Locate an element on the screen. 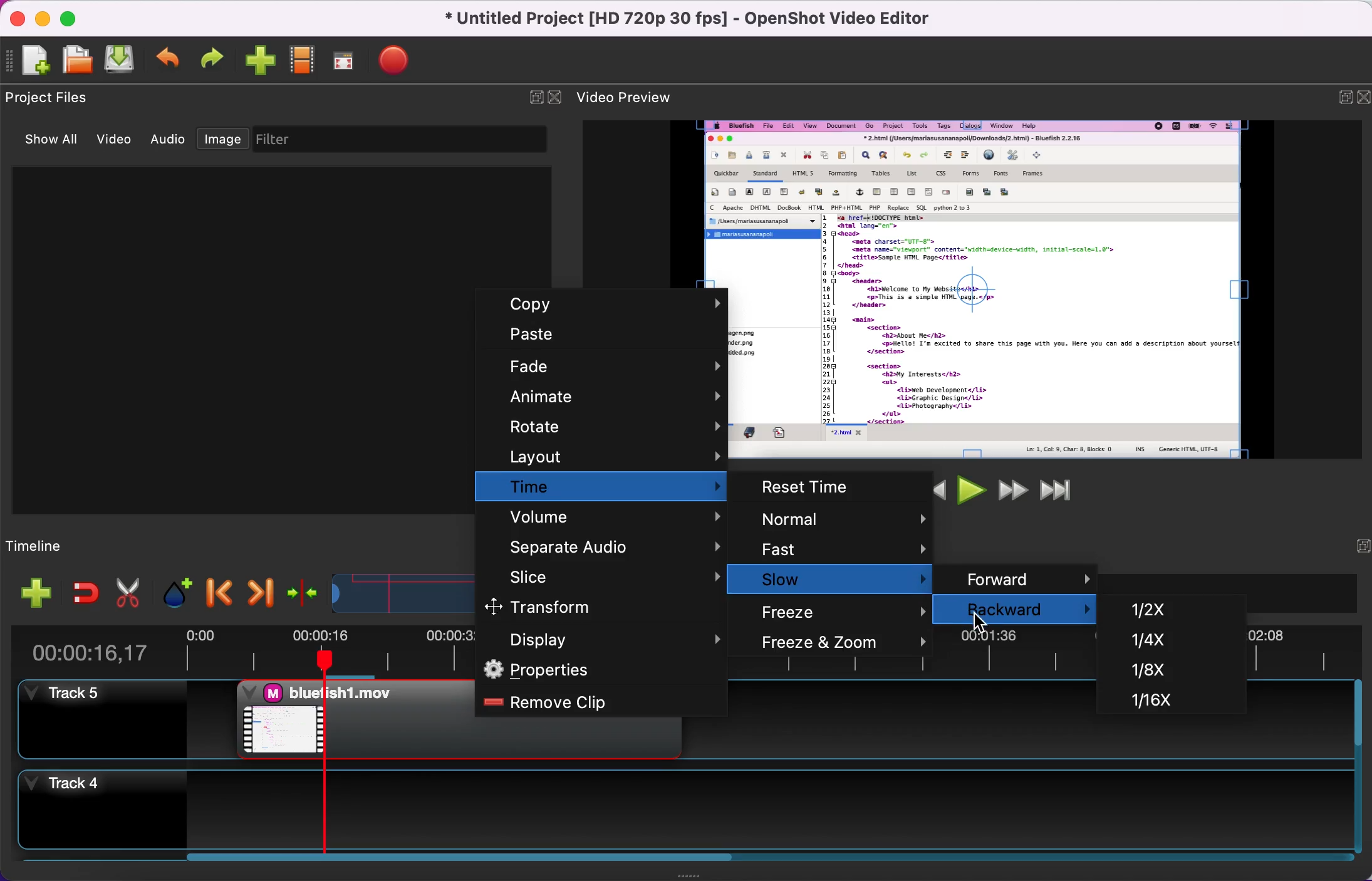 The height and width of the screenshot is (881, 1372). next marker is located at coordinates (256, 590).